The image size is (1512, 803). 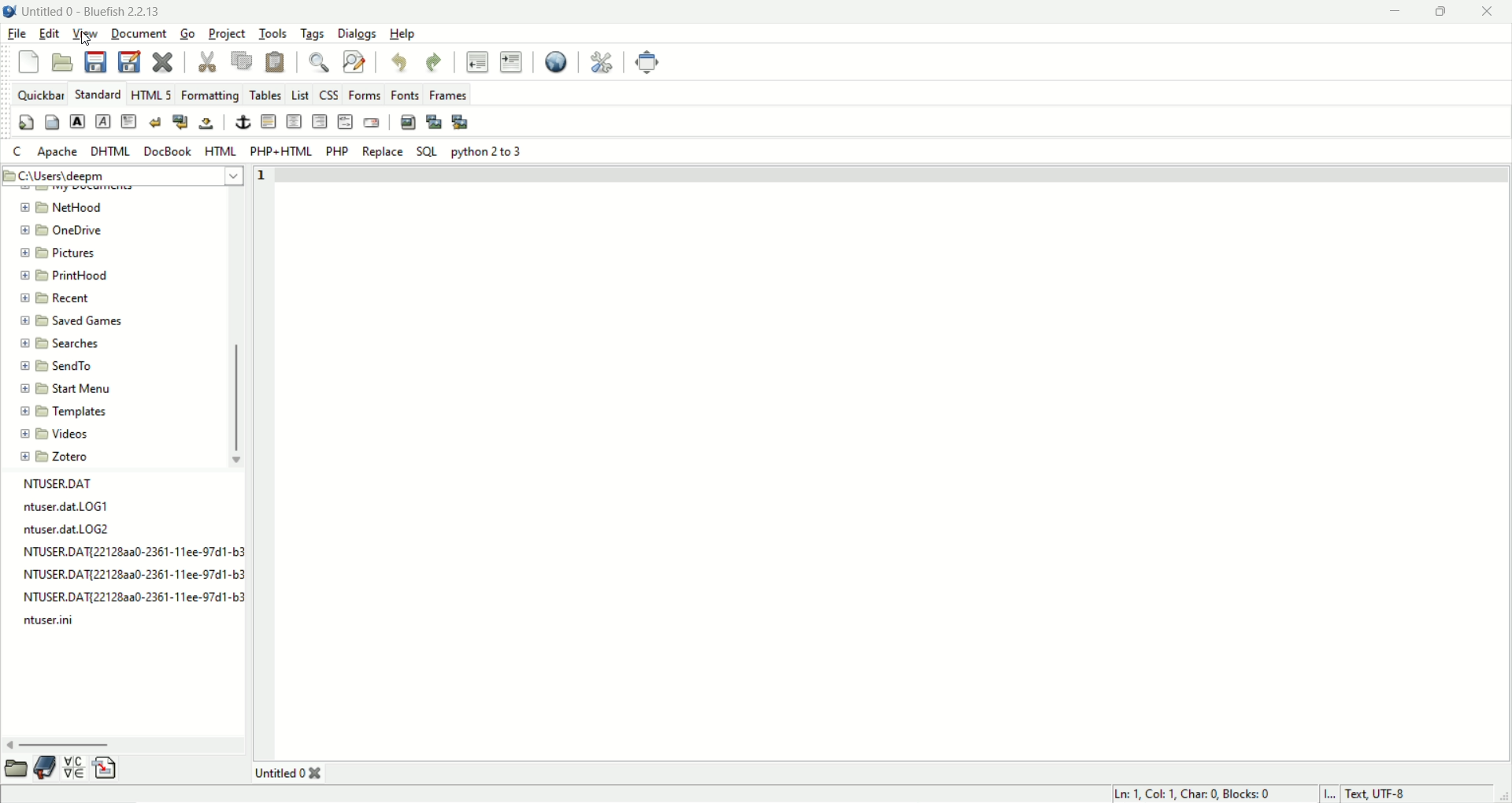 I want to click on emphasize, so click(x=106, y=122).